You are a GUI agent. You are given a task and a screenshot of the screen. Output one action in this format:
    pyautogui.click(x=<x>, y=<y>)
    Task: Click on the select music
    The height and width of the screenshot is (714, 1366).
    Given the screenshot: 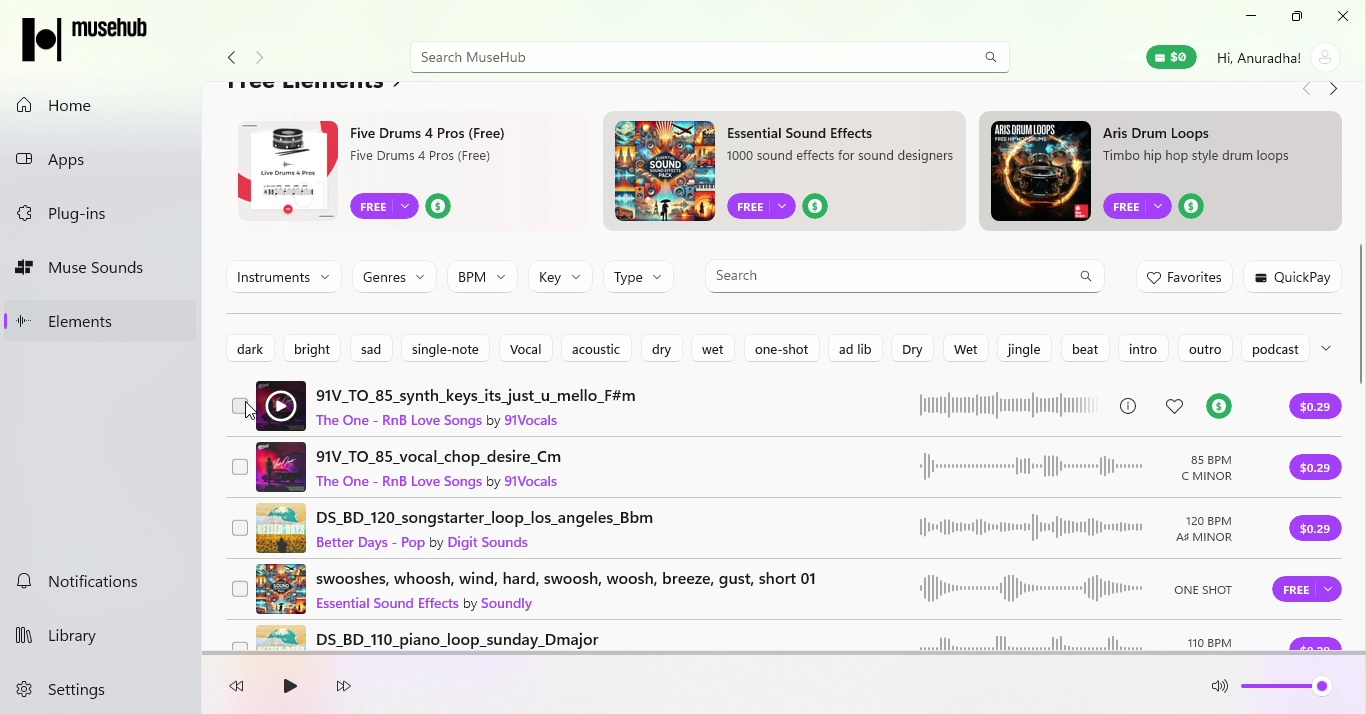 What is the action you would take?
    pyautogui.click(x=234, y=641)
    